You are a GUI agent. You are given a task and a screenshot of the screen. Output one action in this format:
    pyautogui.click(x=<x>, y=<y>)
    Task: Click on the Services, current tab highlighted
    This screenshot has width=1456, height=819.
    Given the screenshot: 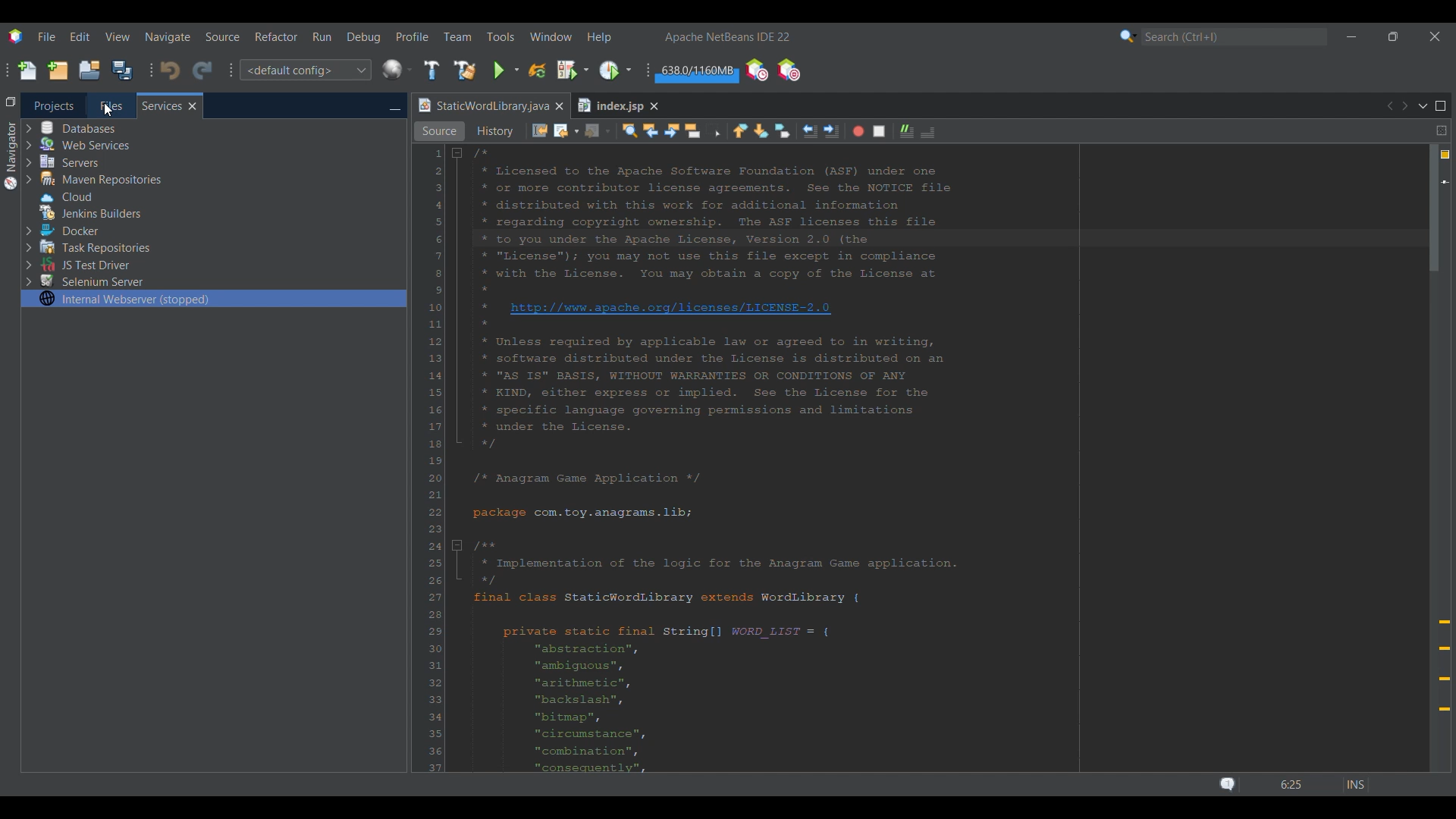 What is the action you would take?
    pyautogui.click(x=162, y=105)
    